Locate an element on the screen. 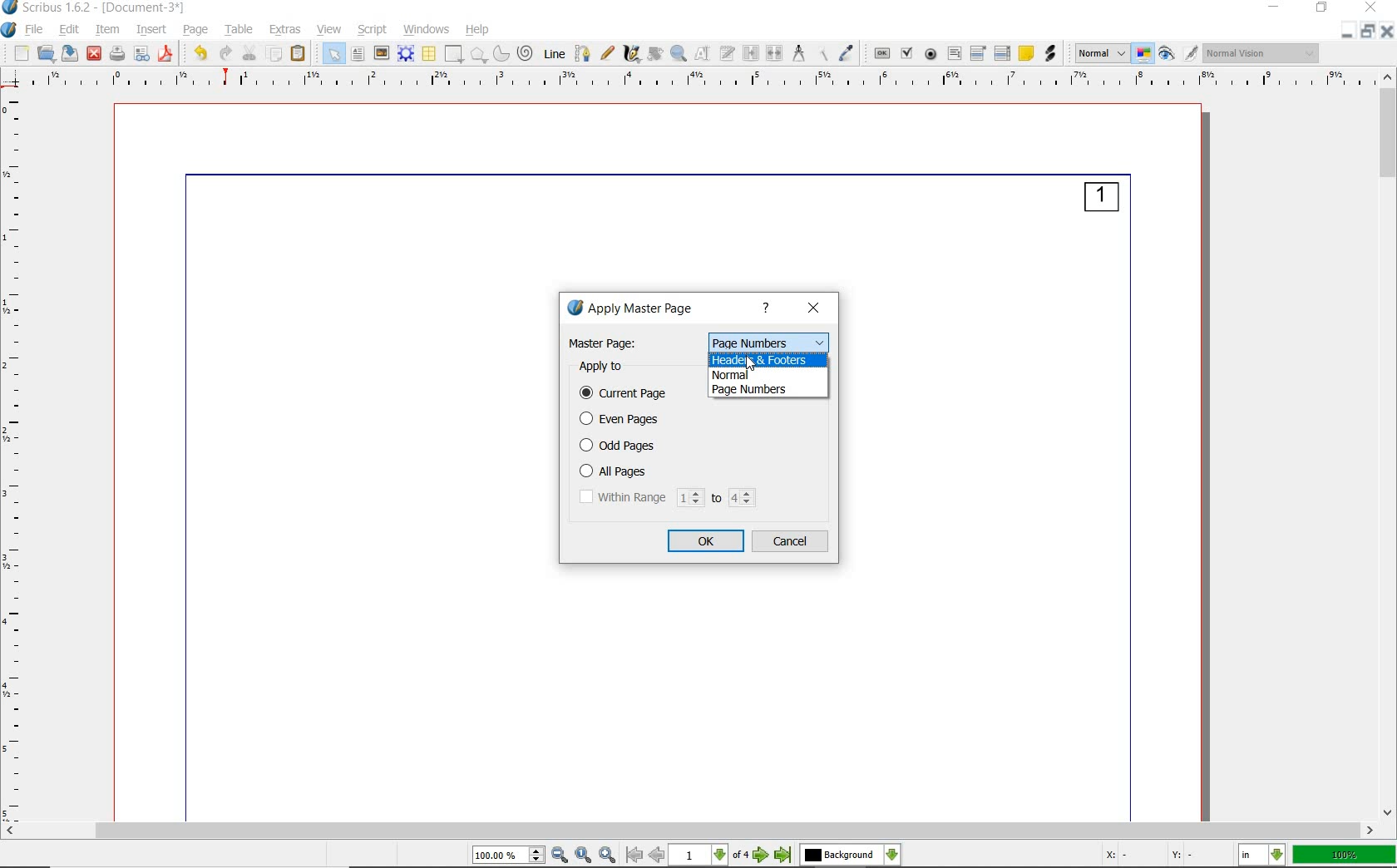  print is located at coordinates (118, 54).